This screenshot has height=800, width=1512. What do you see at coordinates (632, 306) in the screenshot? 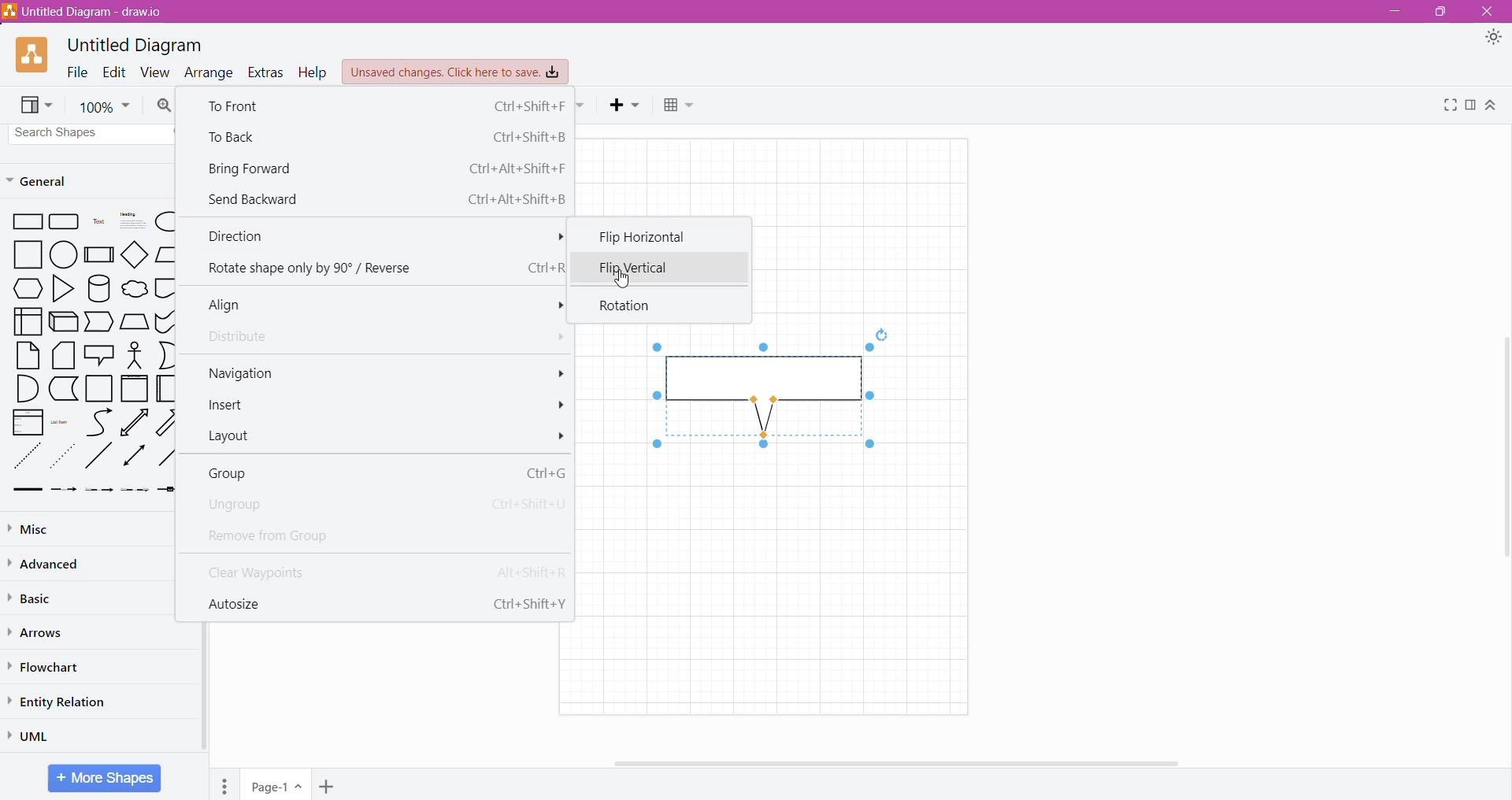
I see `Rotation` at bounding box center [632, 306].